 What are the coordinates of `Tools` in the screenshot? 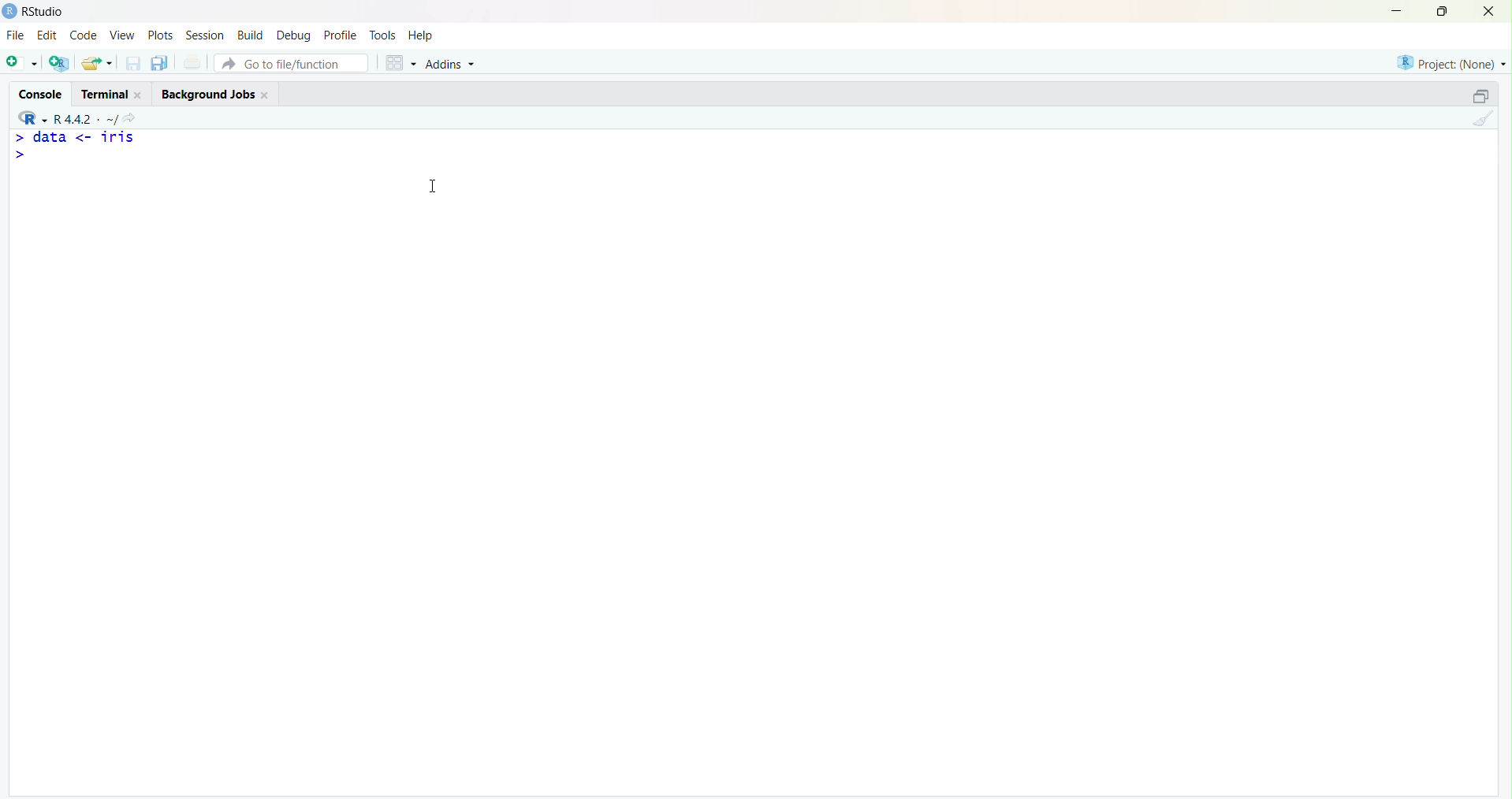 It's located at (382, 34).